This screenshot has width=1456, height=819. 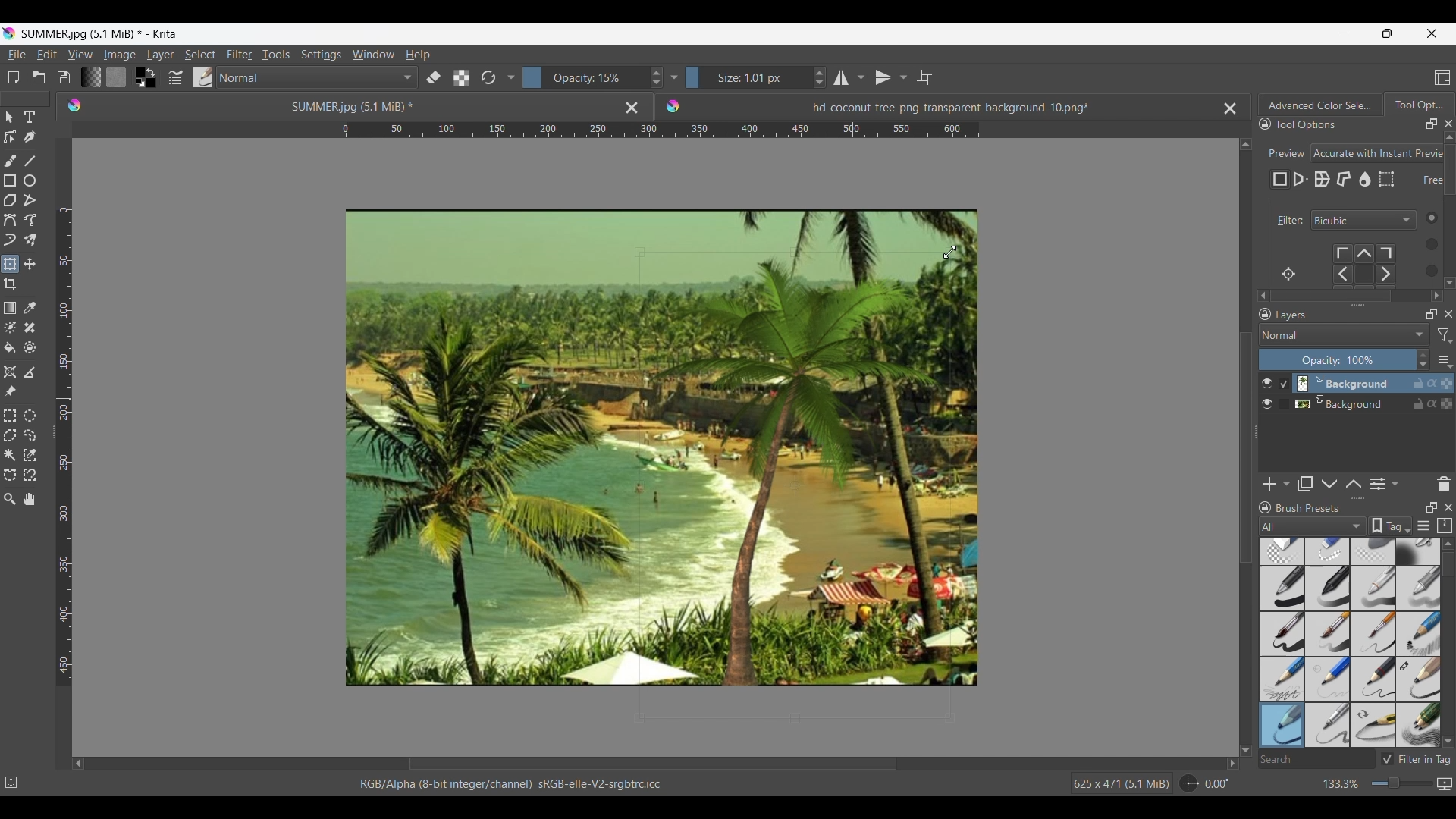 I want to click on Horizontal scrollbar, so click(x=1351, y=296).